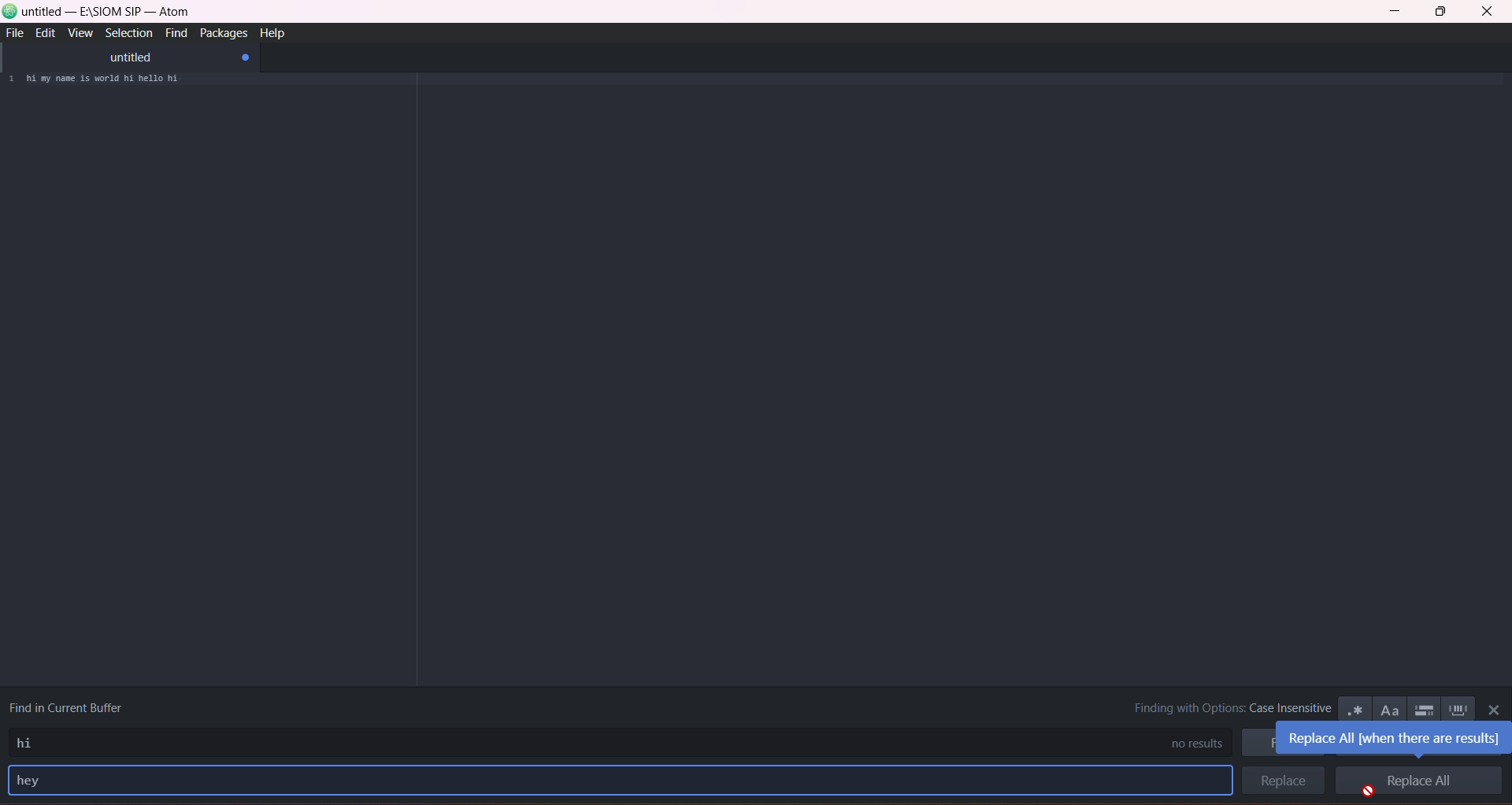 The width and height of the screenshot is (1512, 805). What do you see at coordinates (72, 704) in the screenshot?
I see `find in current buffer` at bounding box center [72, 704].